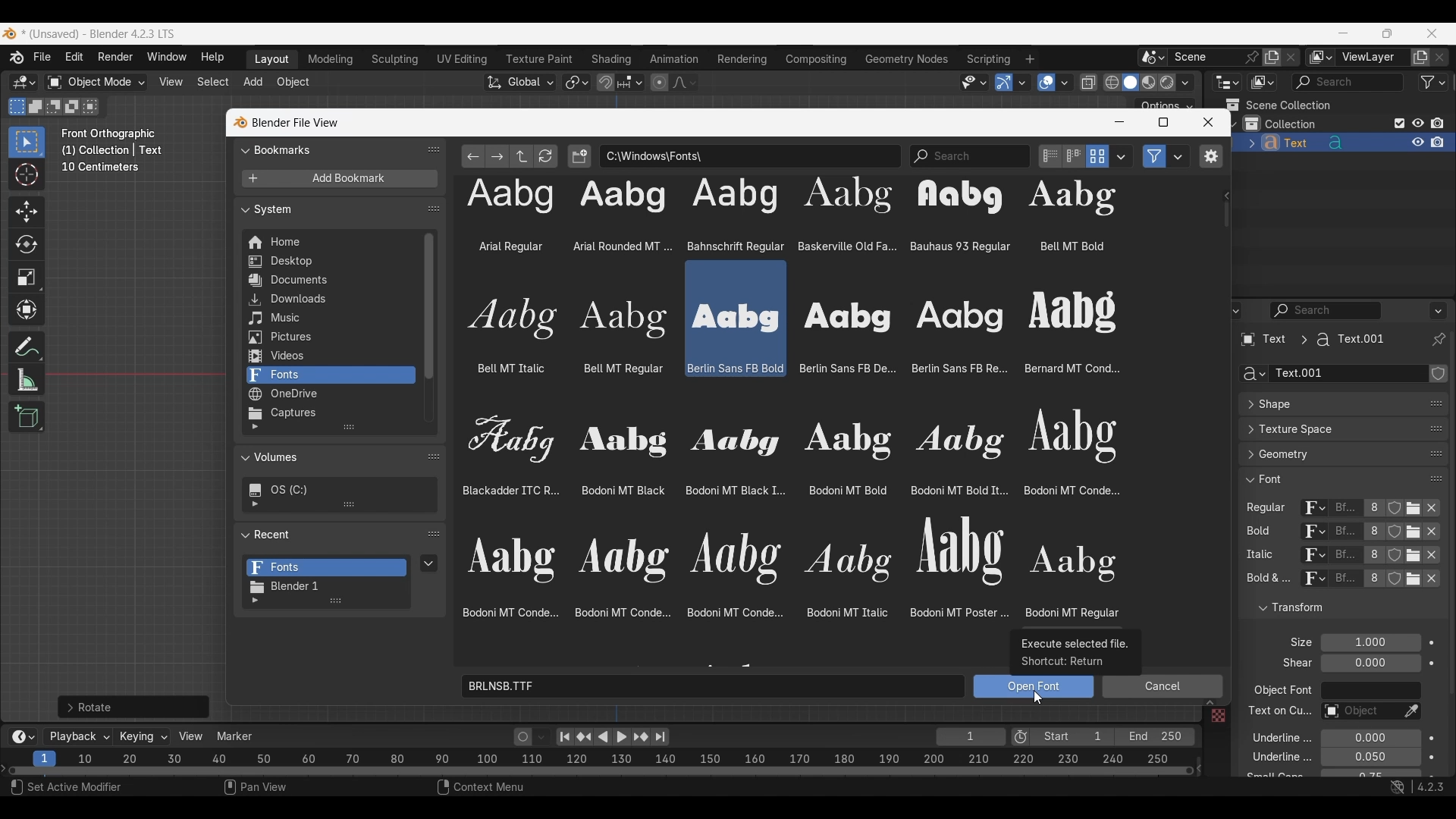 The height and width of the screenshot is (819, 1456). Describe the element at coordinates (1165, 104) in the screenshot. I see `Transform options` at that location.